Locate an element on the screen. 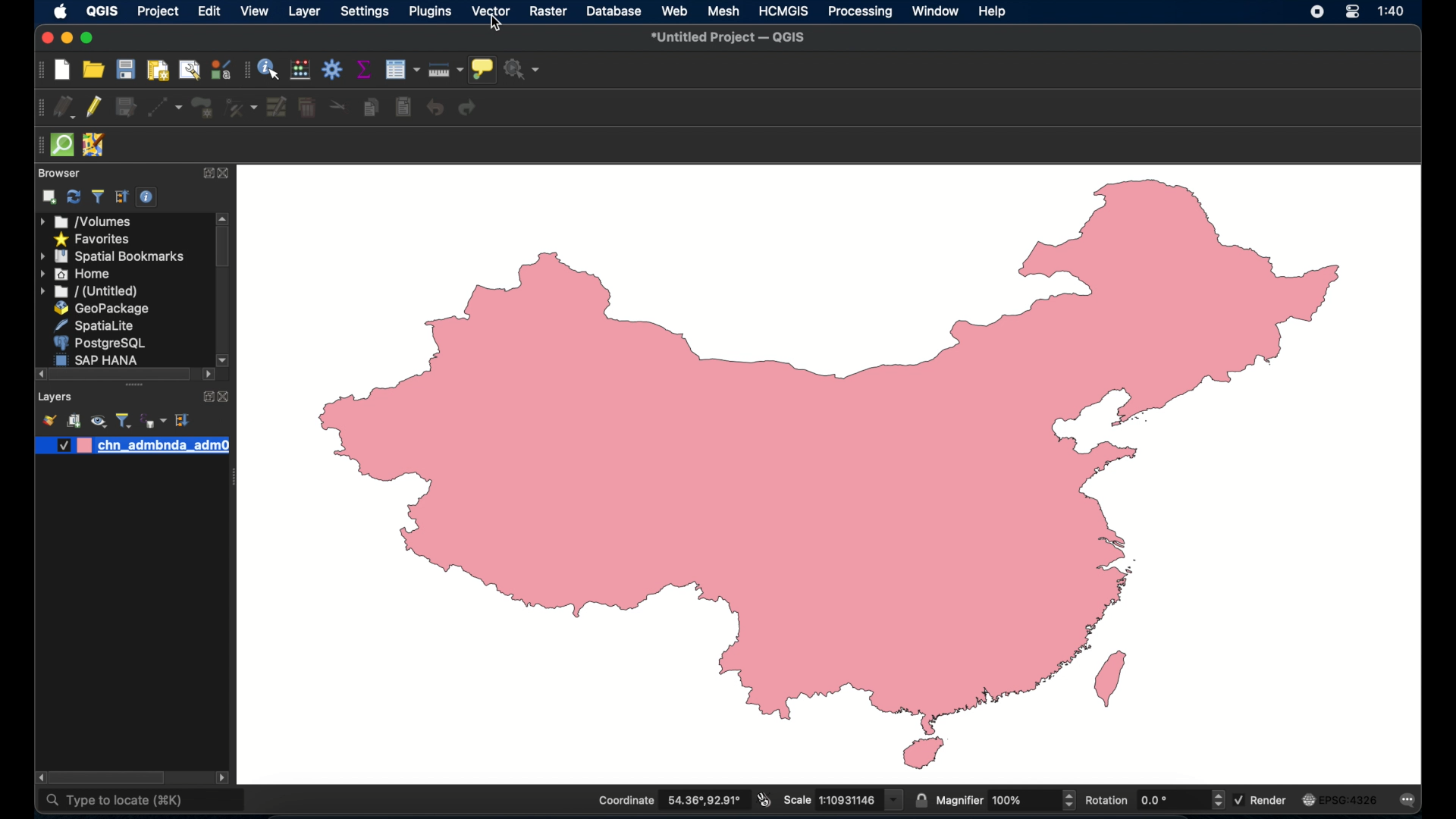 Image resolution: width=1456 pixels, height=819 pixels. web is located at coordinates (674, 11).